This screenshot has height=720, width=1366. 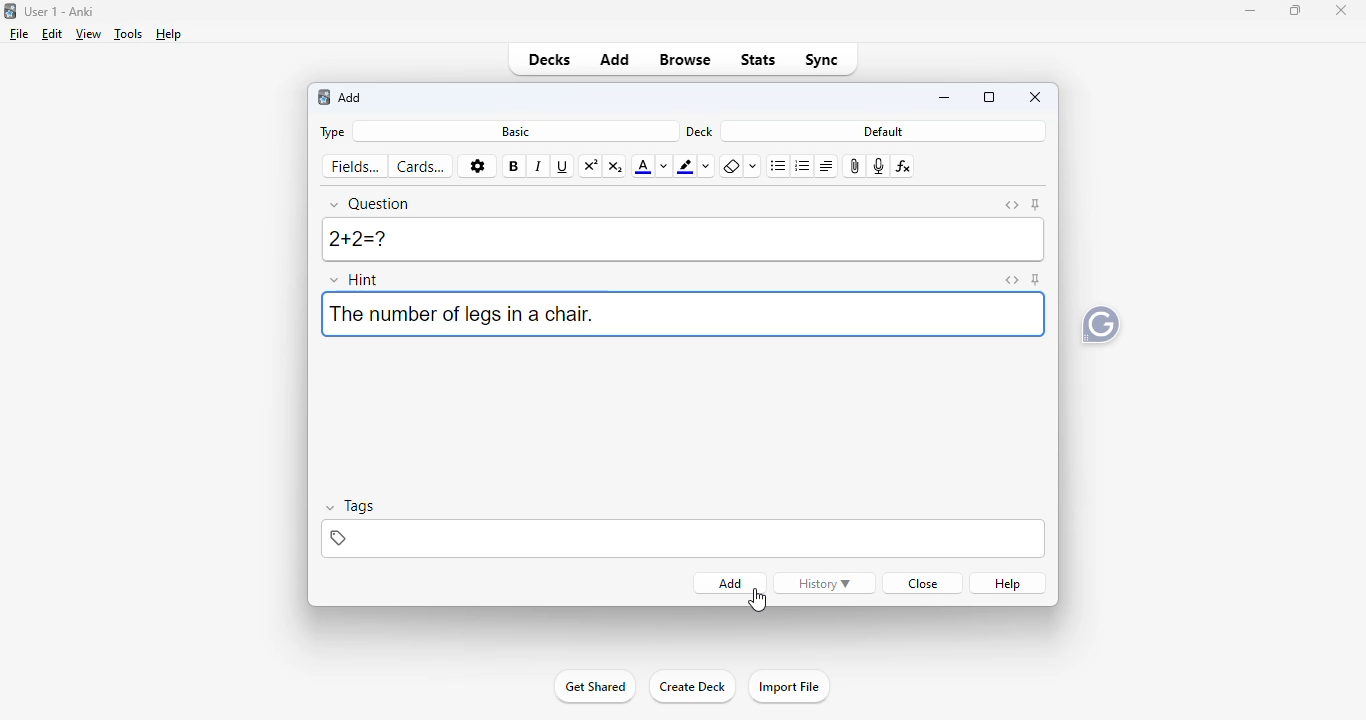 I want to click on superscript, so click(x=590, y=167).